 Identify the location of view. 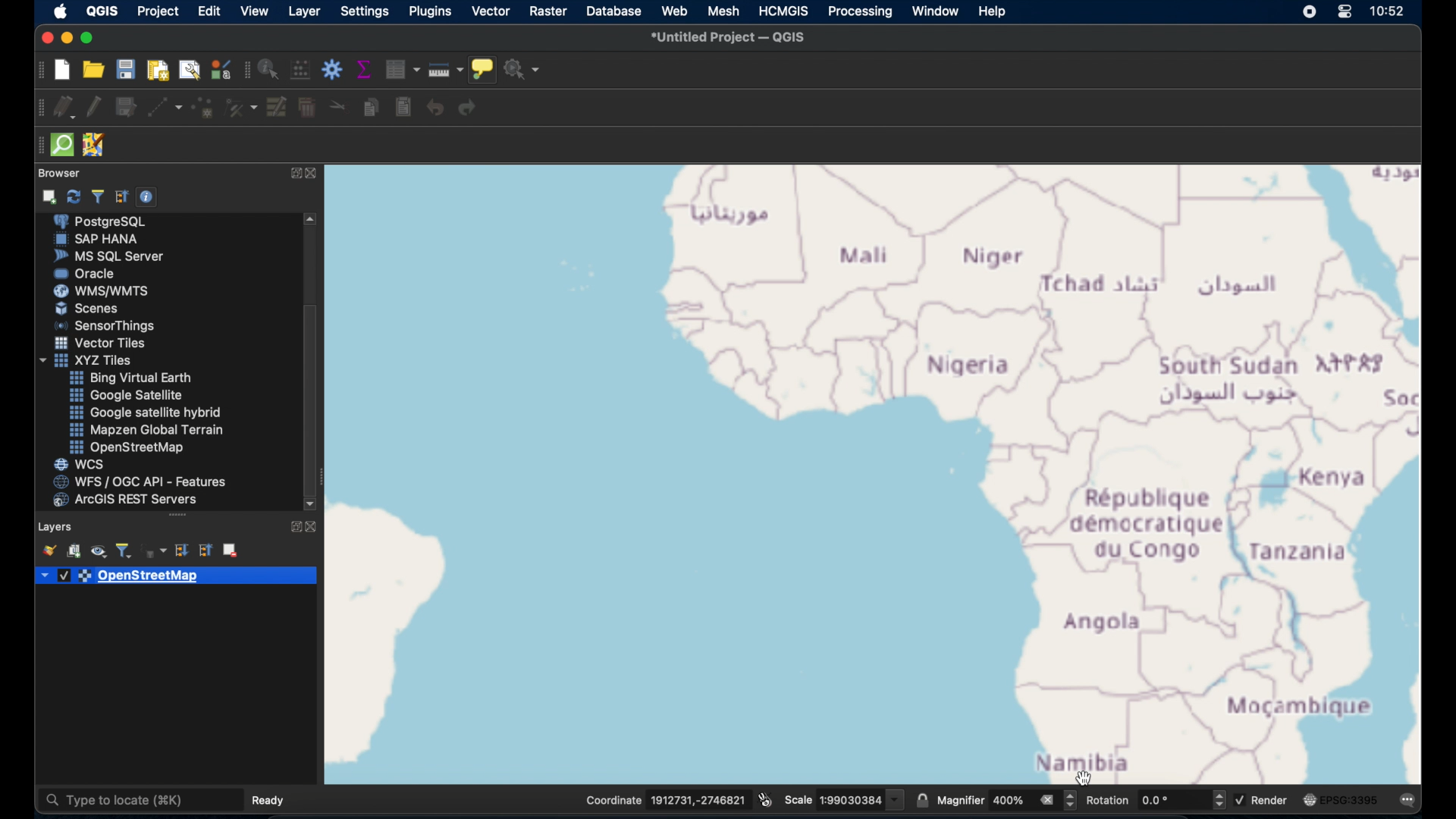
(256, 11).